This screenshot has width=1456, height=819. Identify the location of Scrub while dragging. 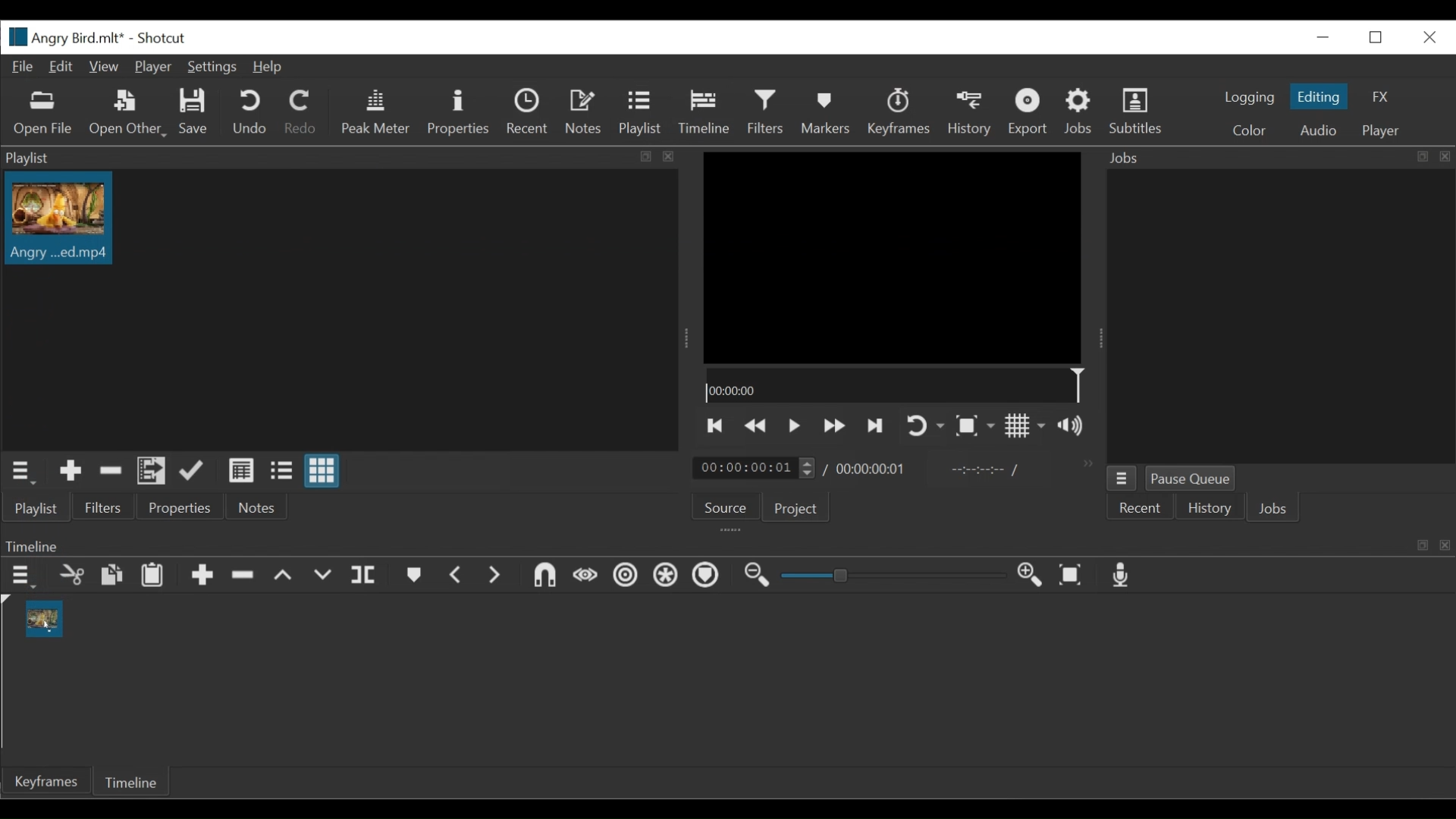
(588, 575).